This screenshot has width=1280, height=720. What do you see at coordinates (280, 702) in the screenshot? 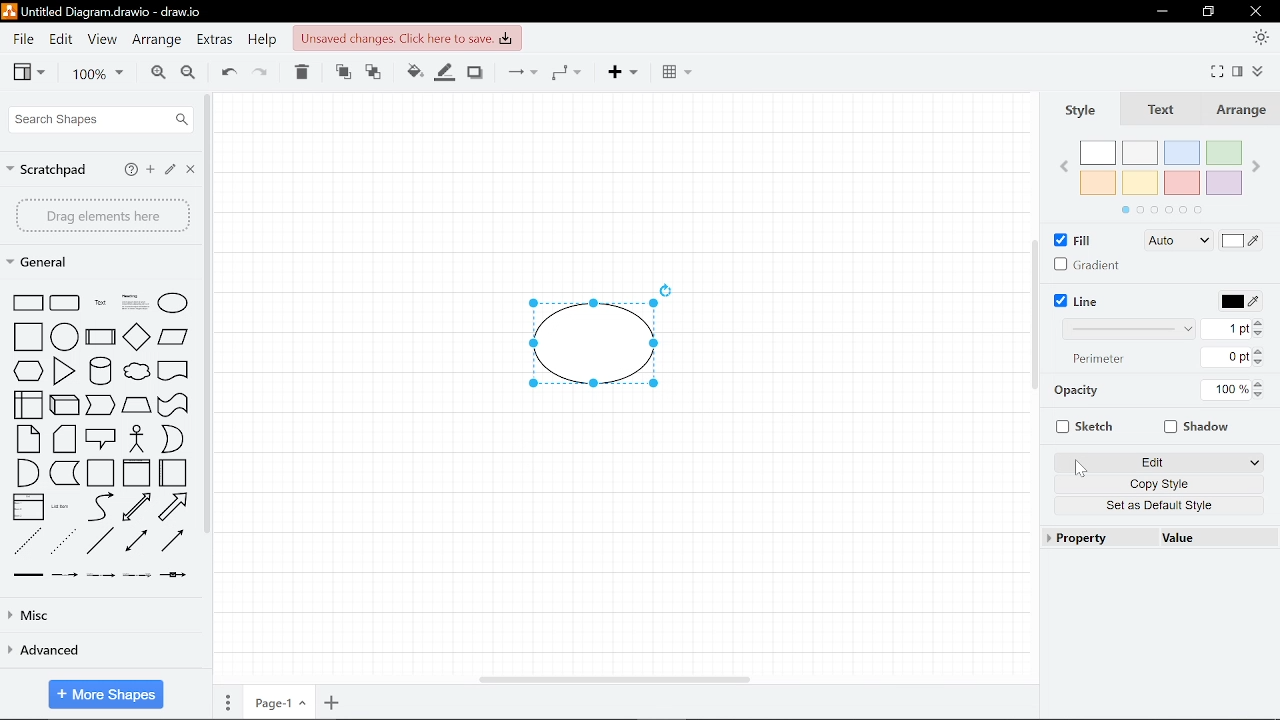
I see `Current page` at bounding box center [280, 702].